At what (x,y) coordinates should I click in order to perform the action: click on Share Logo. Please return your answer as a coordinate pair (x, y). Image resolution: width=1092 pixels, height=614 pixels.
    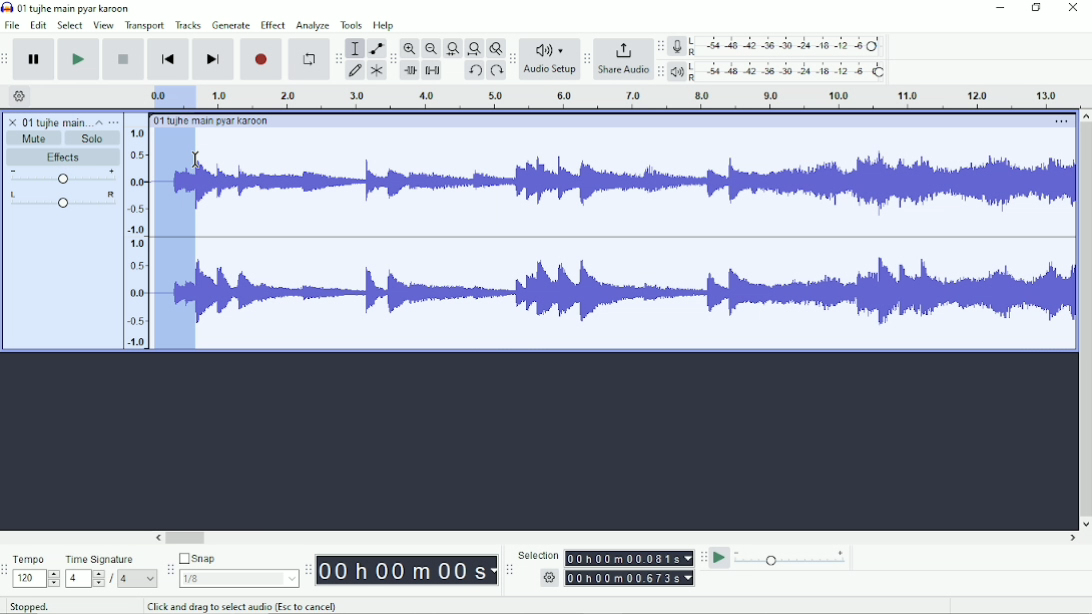
    Looking at the image, I should click on (621, 49).